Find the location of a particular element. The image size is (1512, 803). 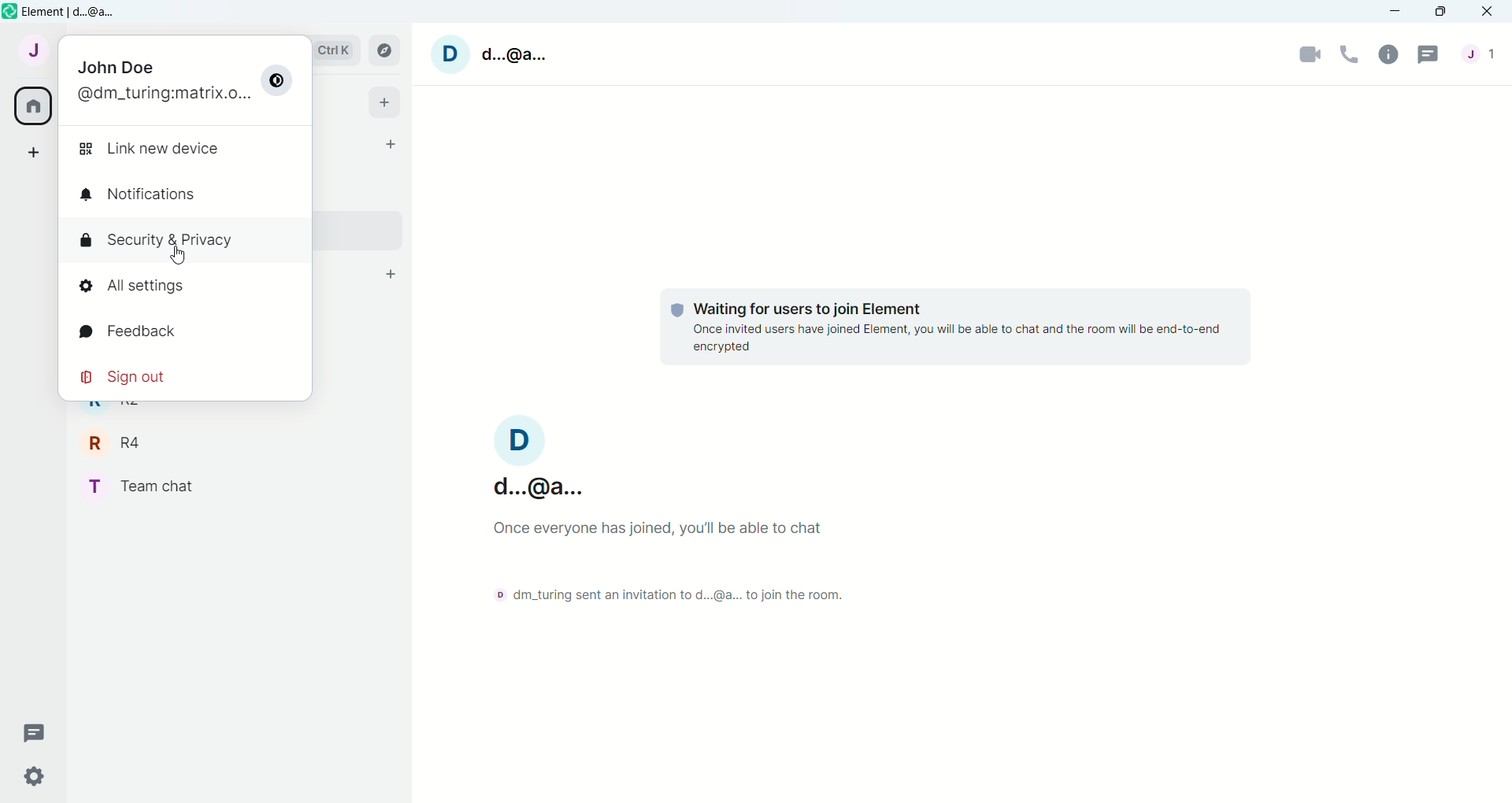

Once everyone has joined, you'll be able to chat is located at coordinates (664, 528).